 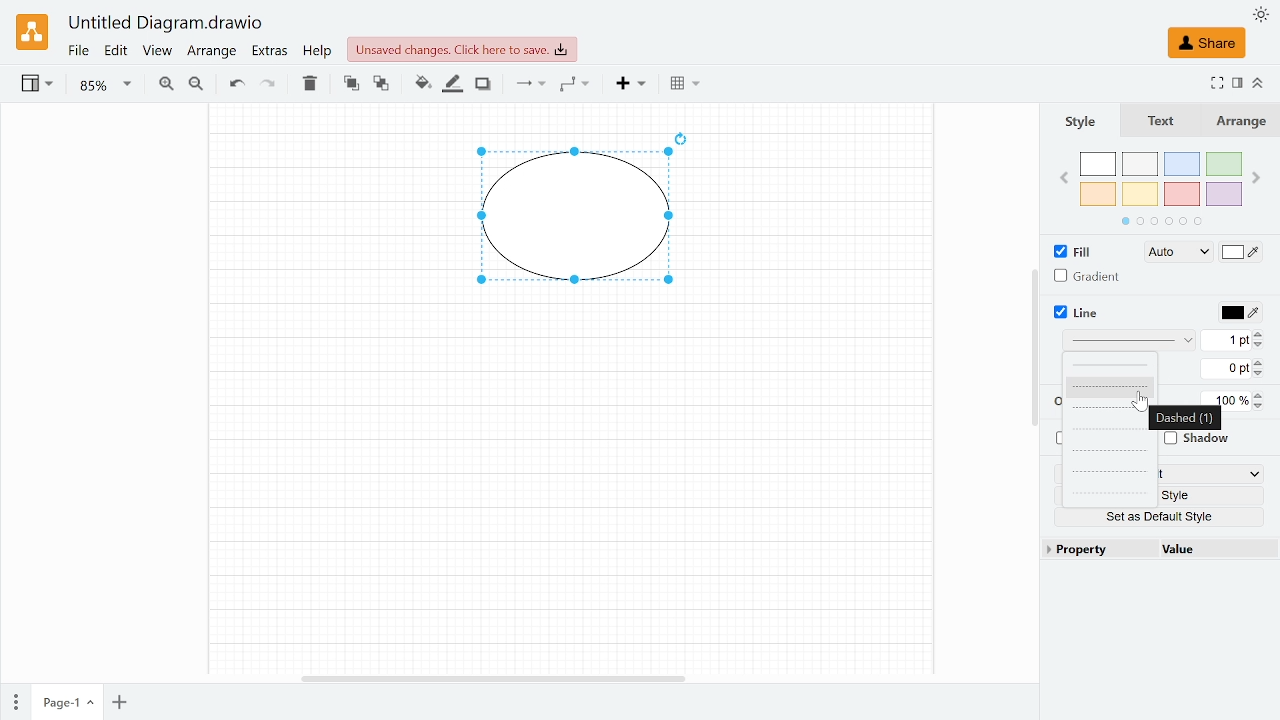 I want to click on Shadow, so click(x=485, y=83).